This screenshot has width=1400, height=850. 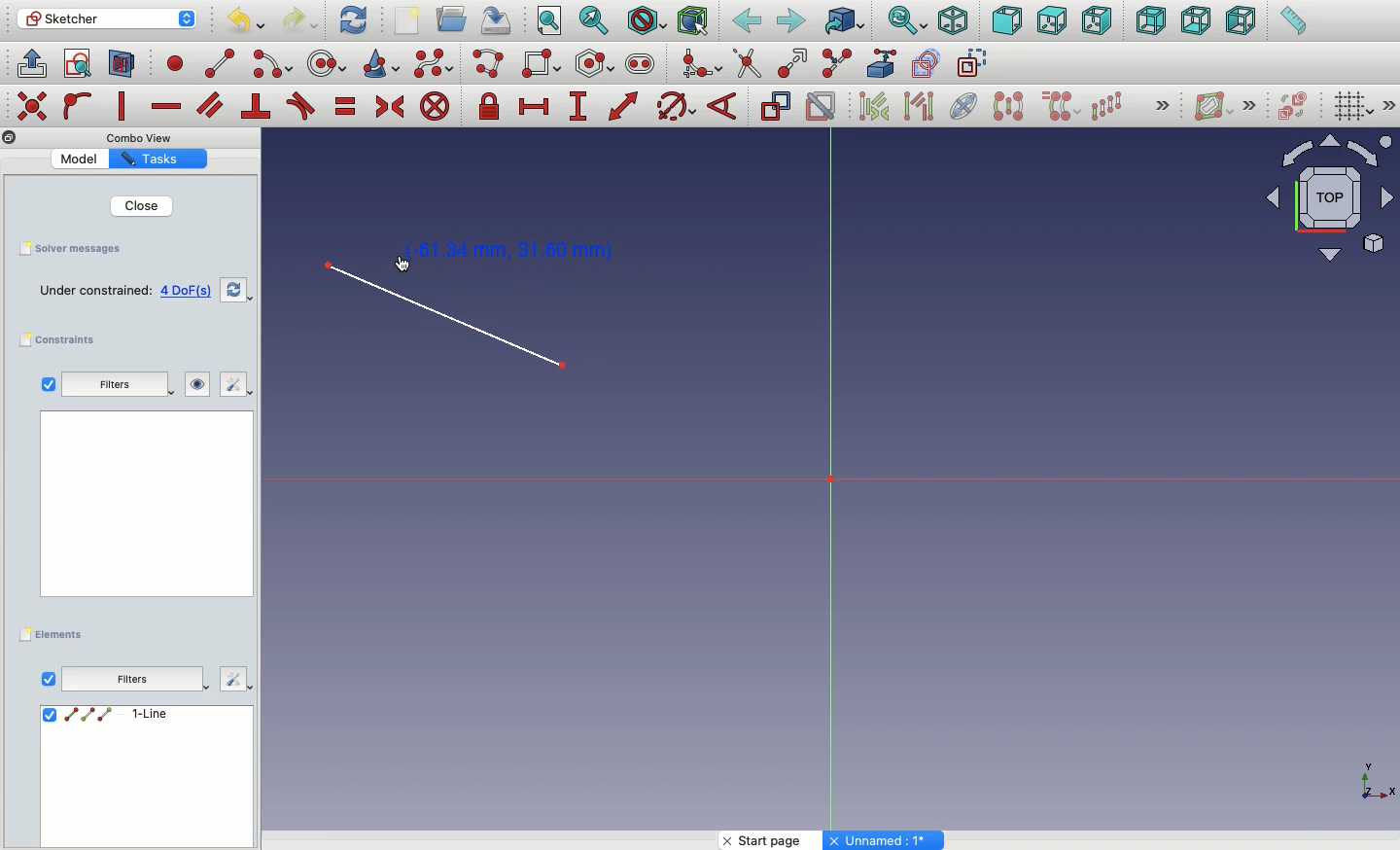 What do you see at coordinates (157, 160) in the screenshot?
I see `Property ` at bounding box center [157, 160].